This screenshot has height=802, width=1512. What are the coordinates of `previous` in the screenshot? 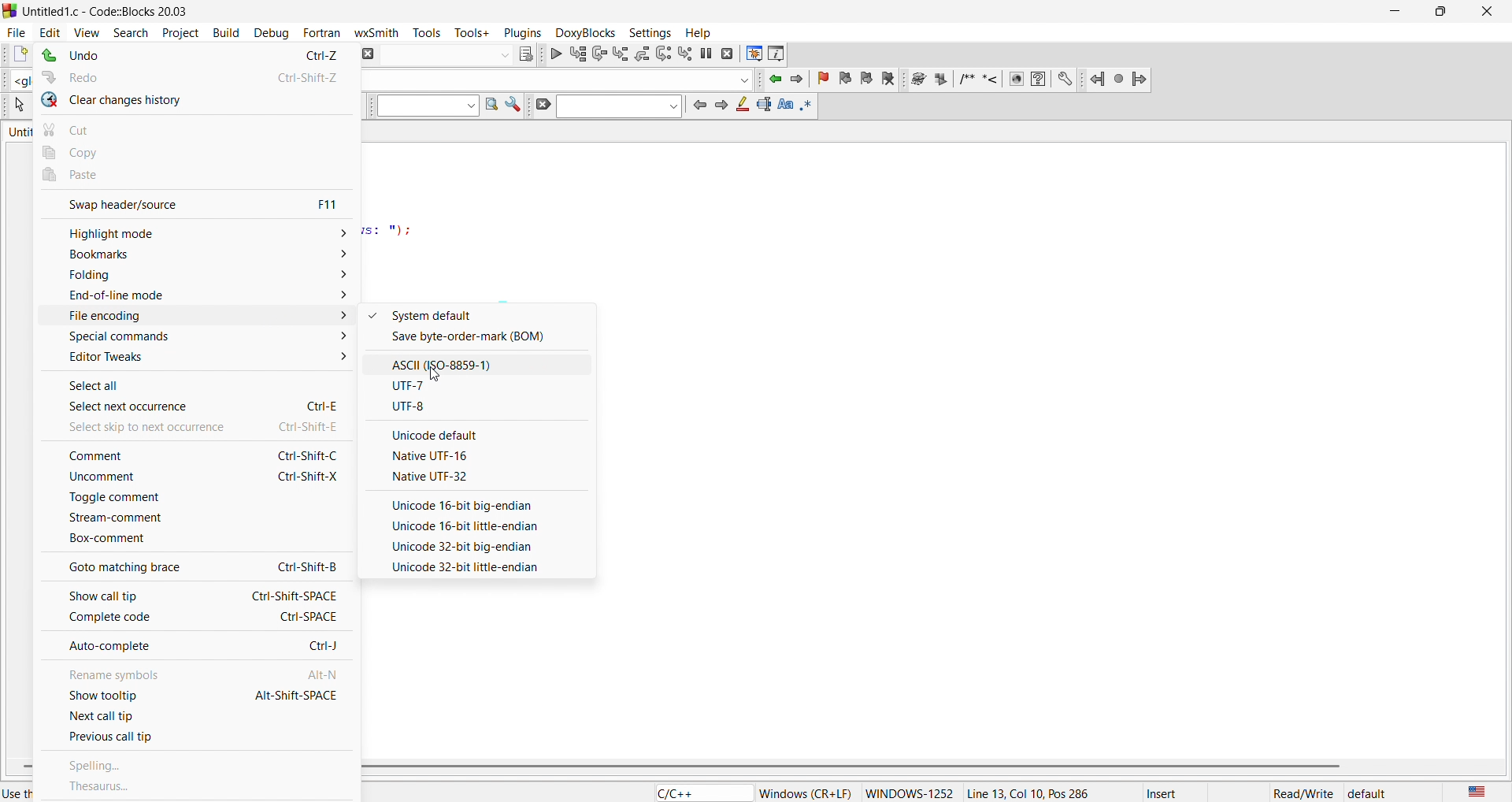 It's located at (699, 105).